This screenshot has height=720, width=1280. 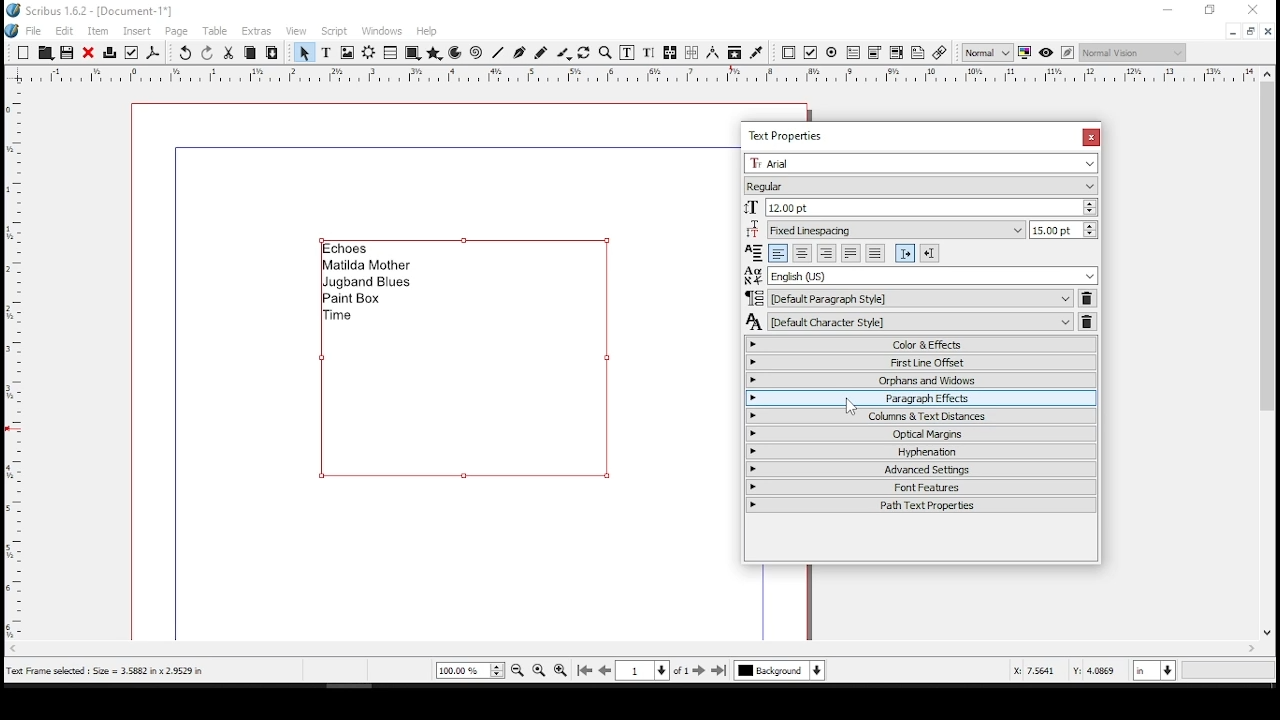 I want to click on PDF radio button, so click(x=832, y=53).